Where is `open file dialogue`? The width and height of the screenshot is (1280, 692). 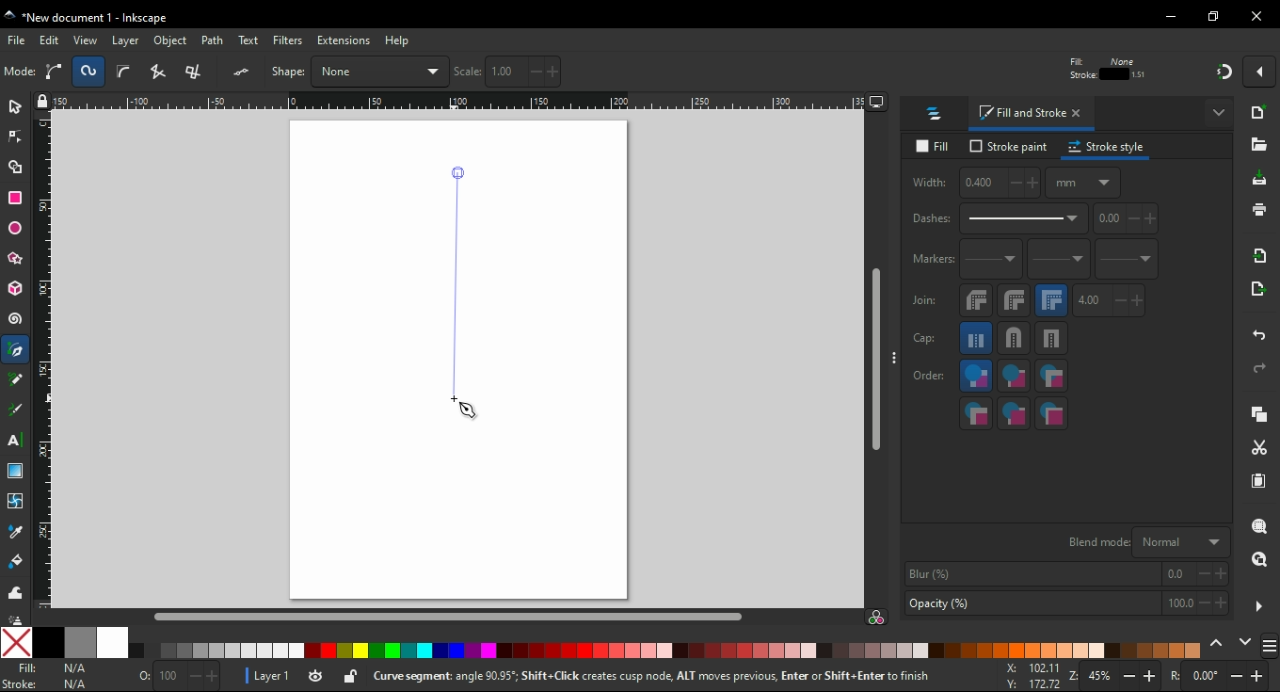 open file dialogue is located at coordinates (1259, 148).